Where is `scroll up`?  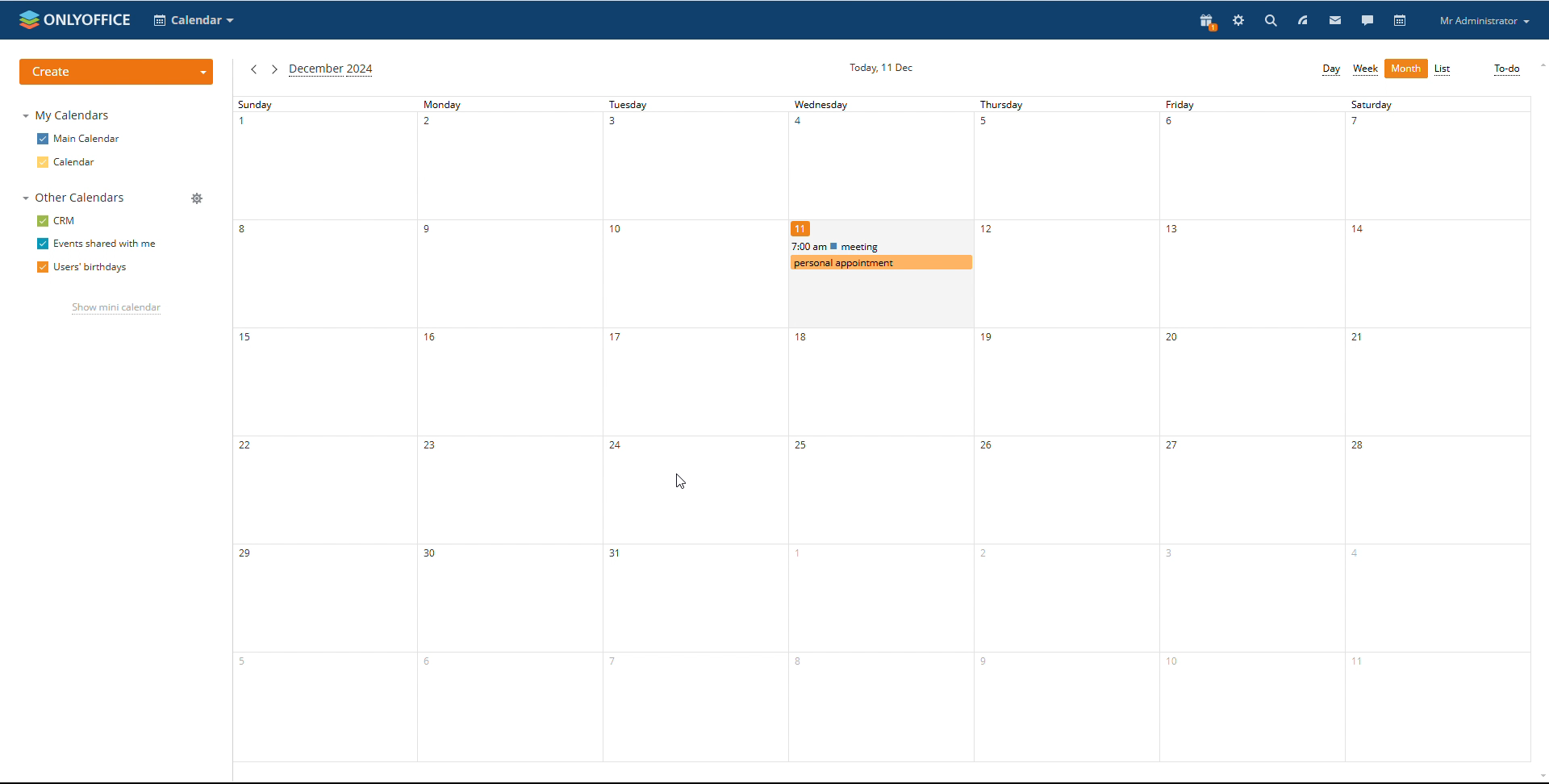
scroll up is located at coordinates (1539, 65).